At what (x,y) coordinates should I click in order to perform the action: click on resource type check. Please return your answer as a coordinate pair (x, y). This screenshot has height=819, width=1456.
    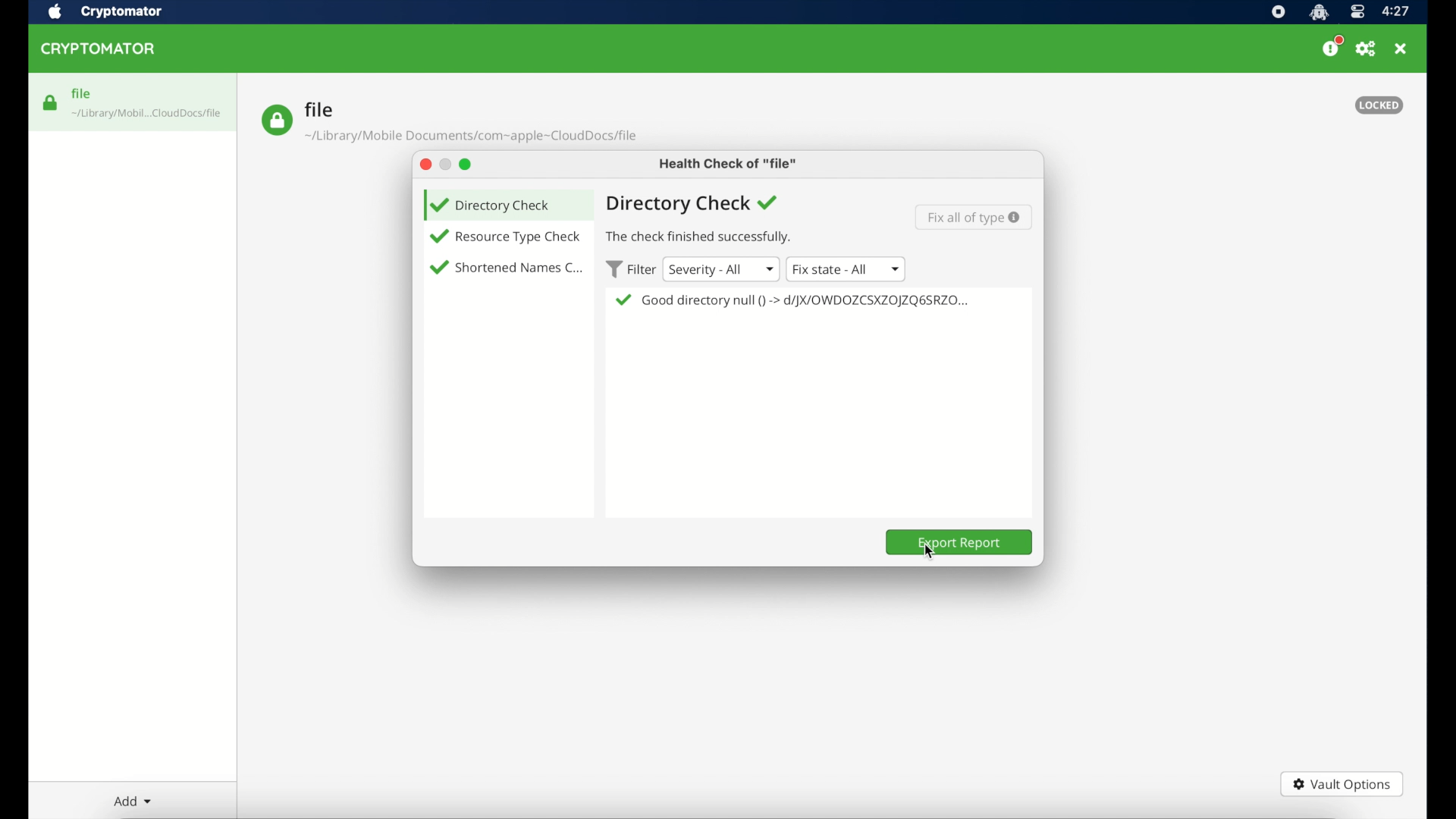
    Looking at the image, I should click on (519, 237).